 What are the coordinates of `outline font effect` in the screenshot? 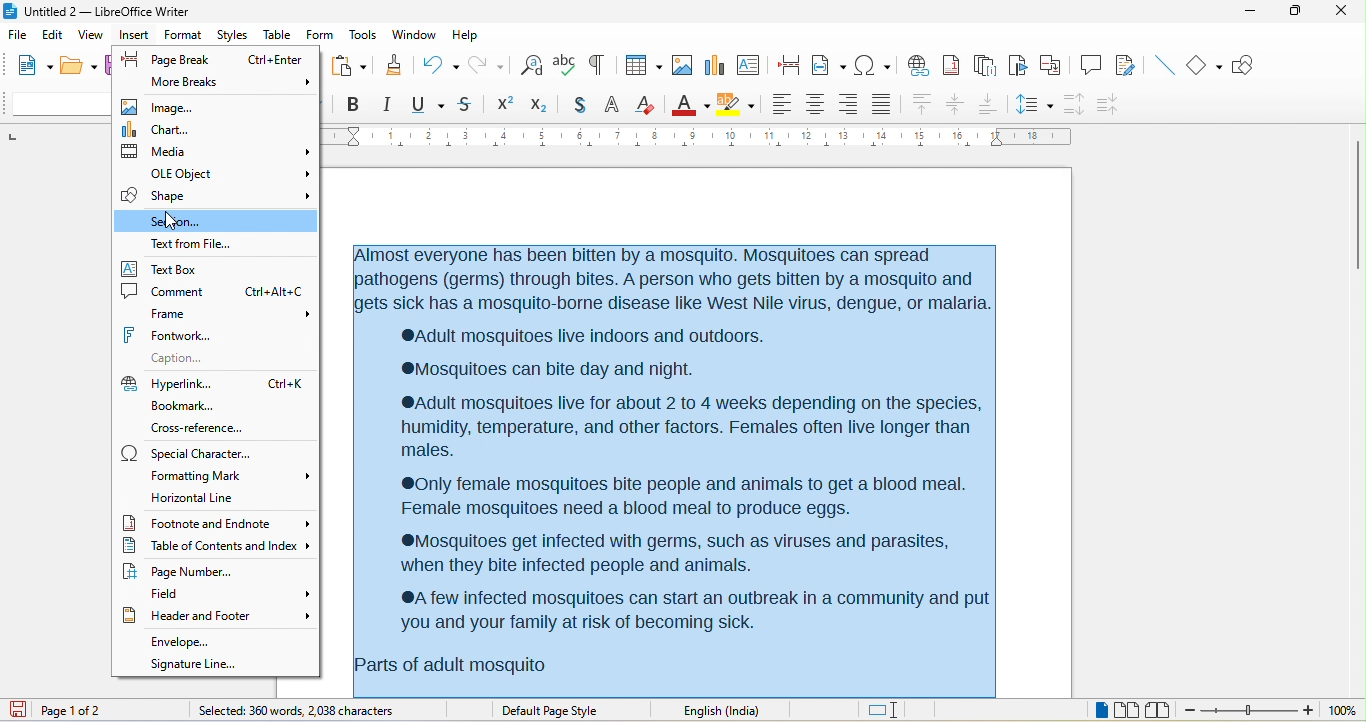 It's located at (612, 103).